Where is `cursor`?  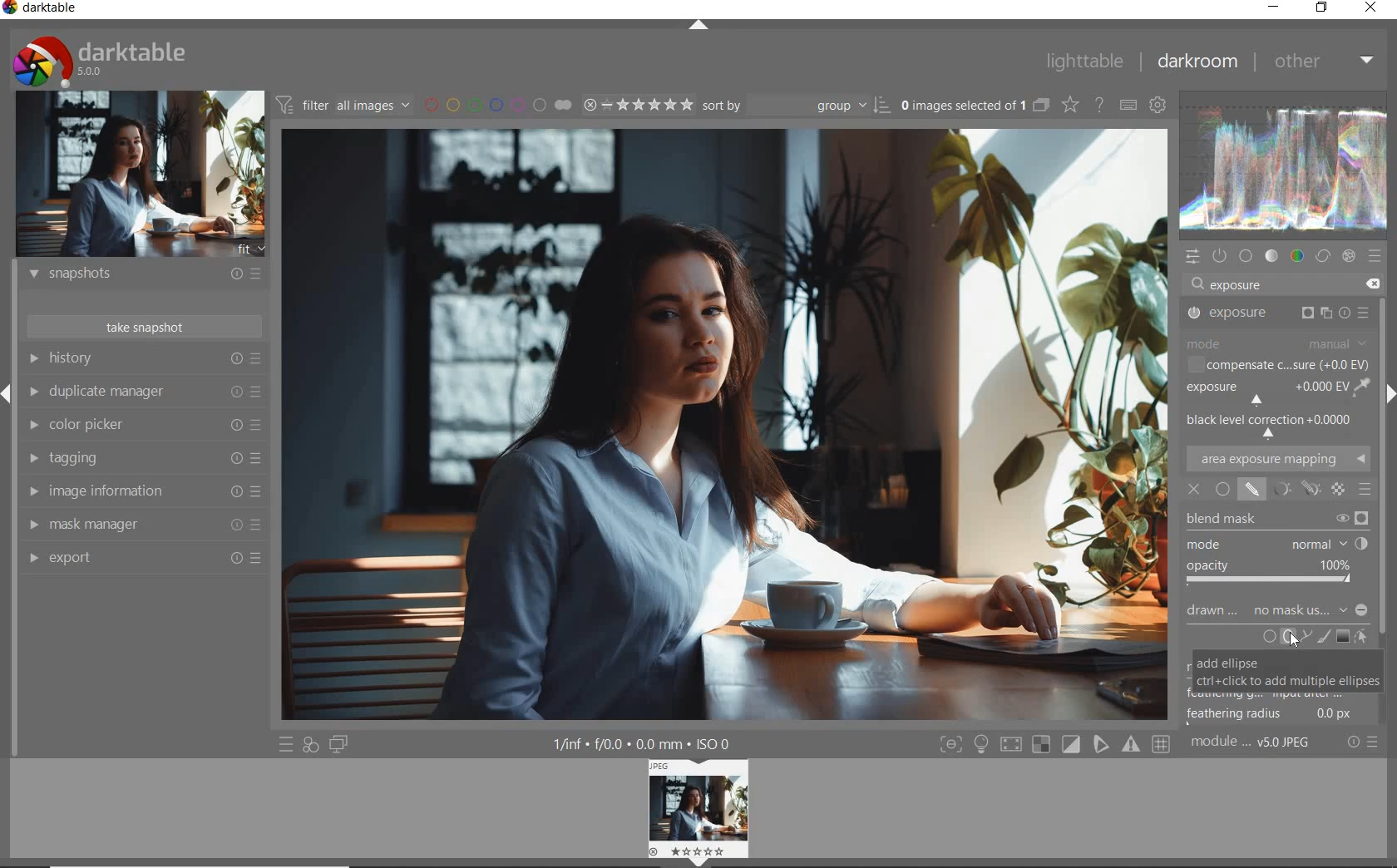
cursor is located at coordinates (1295, 643).